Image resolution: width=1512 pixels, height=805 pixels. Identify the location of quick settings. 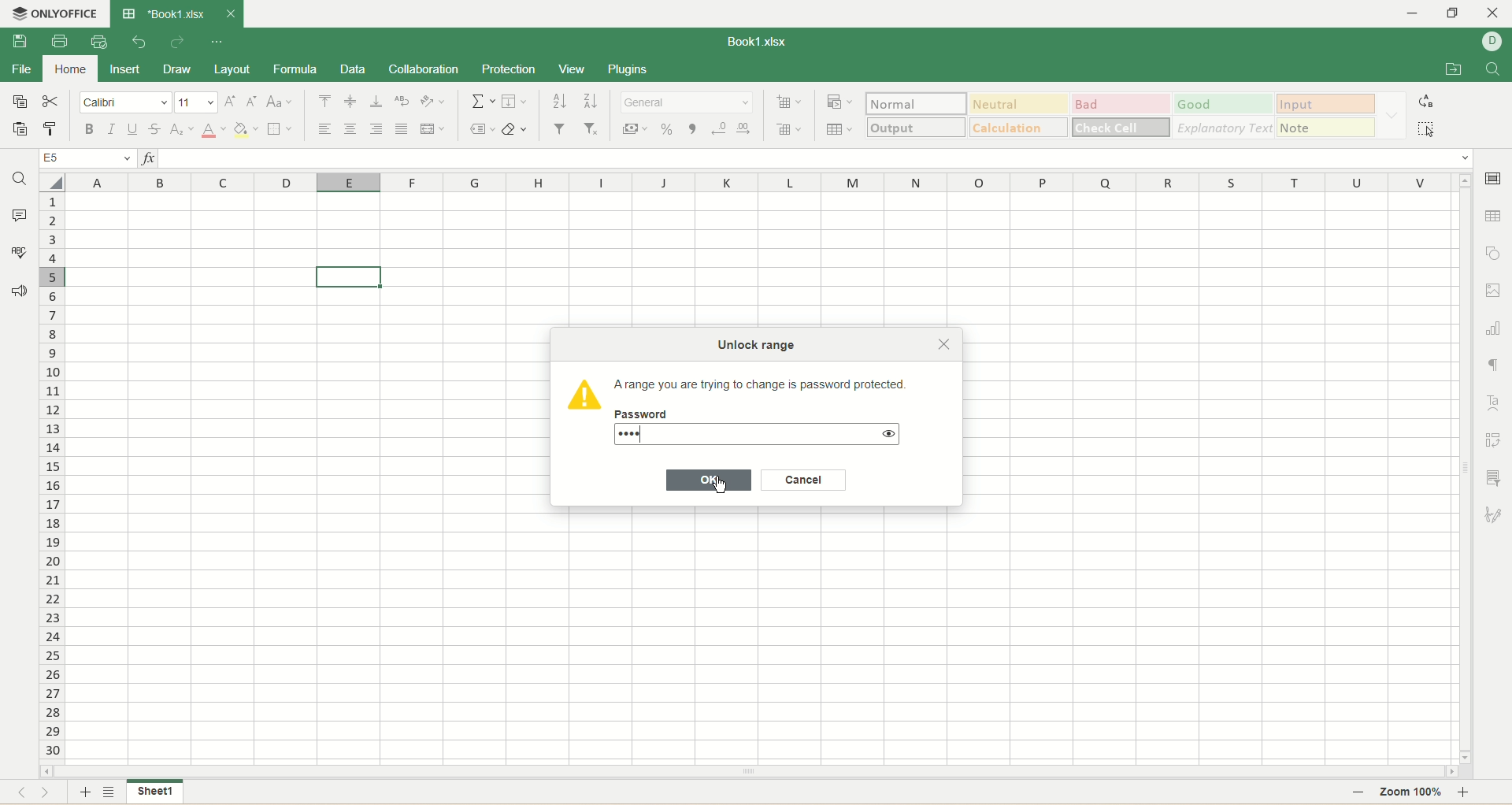
(223, 43).